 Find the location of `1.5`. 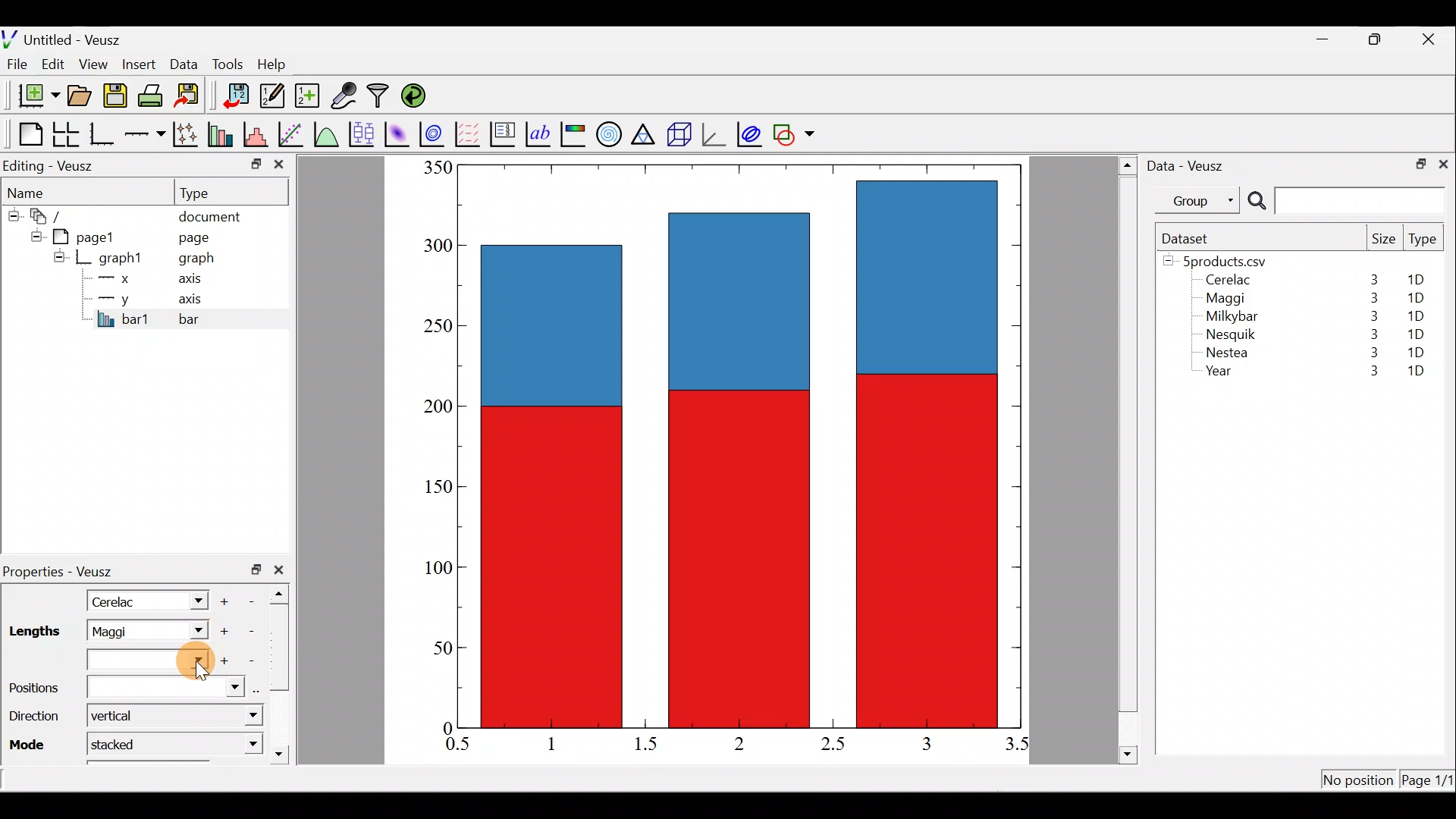

1.5 is located at coordinates (649, 745).